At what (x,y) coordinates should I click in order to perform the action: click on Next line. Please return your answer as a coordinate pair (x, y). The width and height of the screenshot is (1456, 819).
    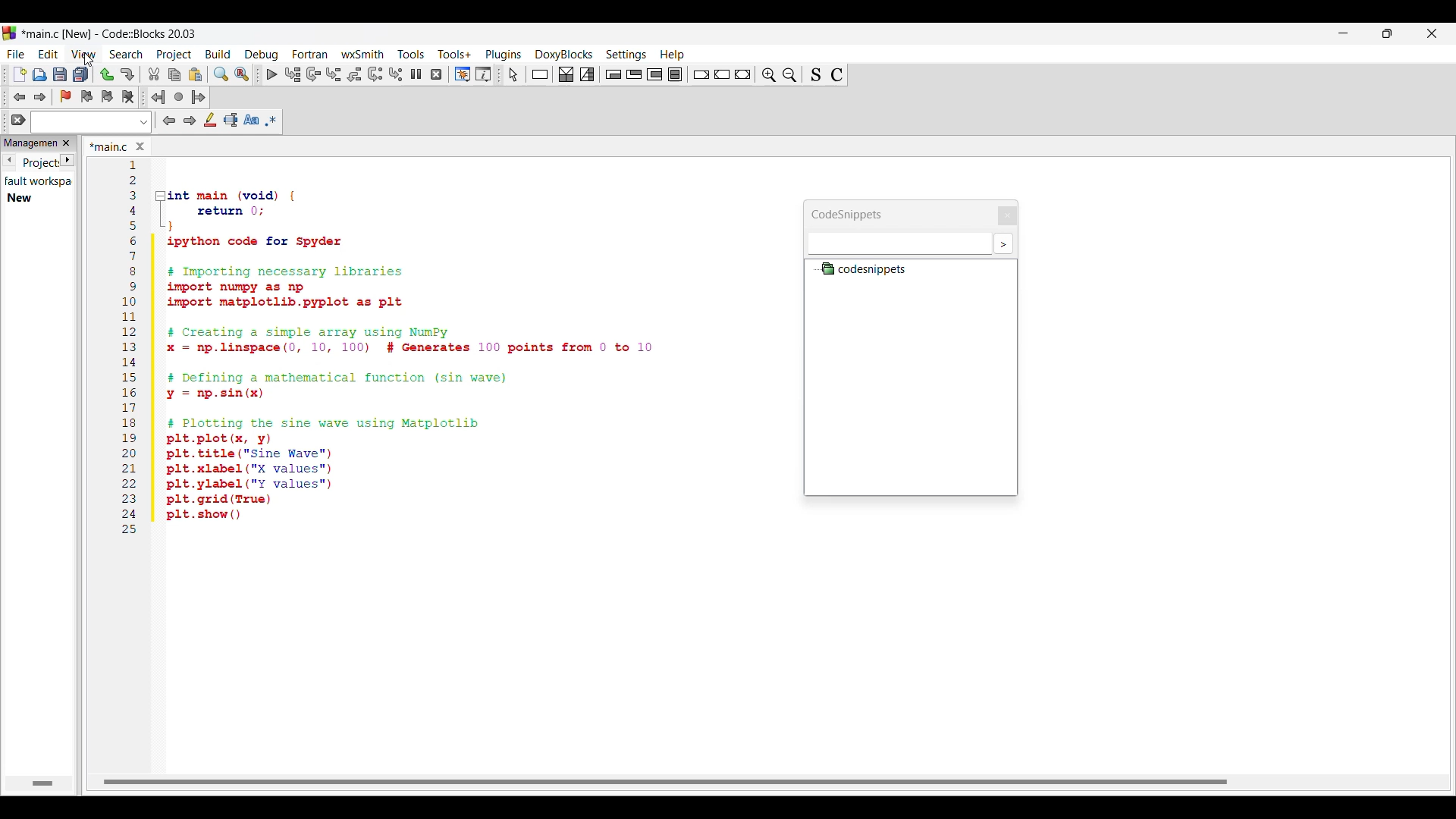
    Looking at the image, I should click on (314, 74).